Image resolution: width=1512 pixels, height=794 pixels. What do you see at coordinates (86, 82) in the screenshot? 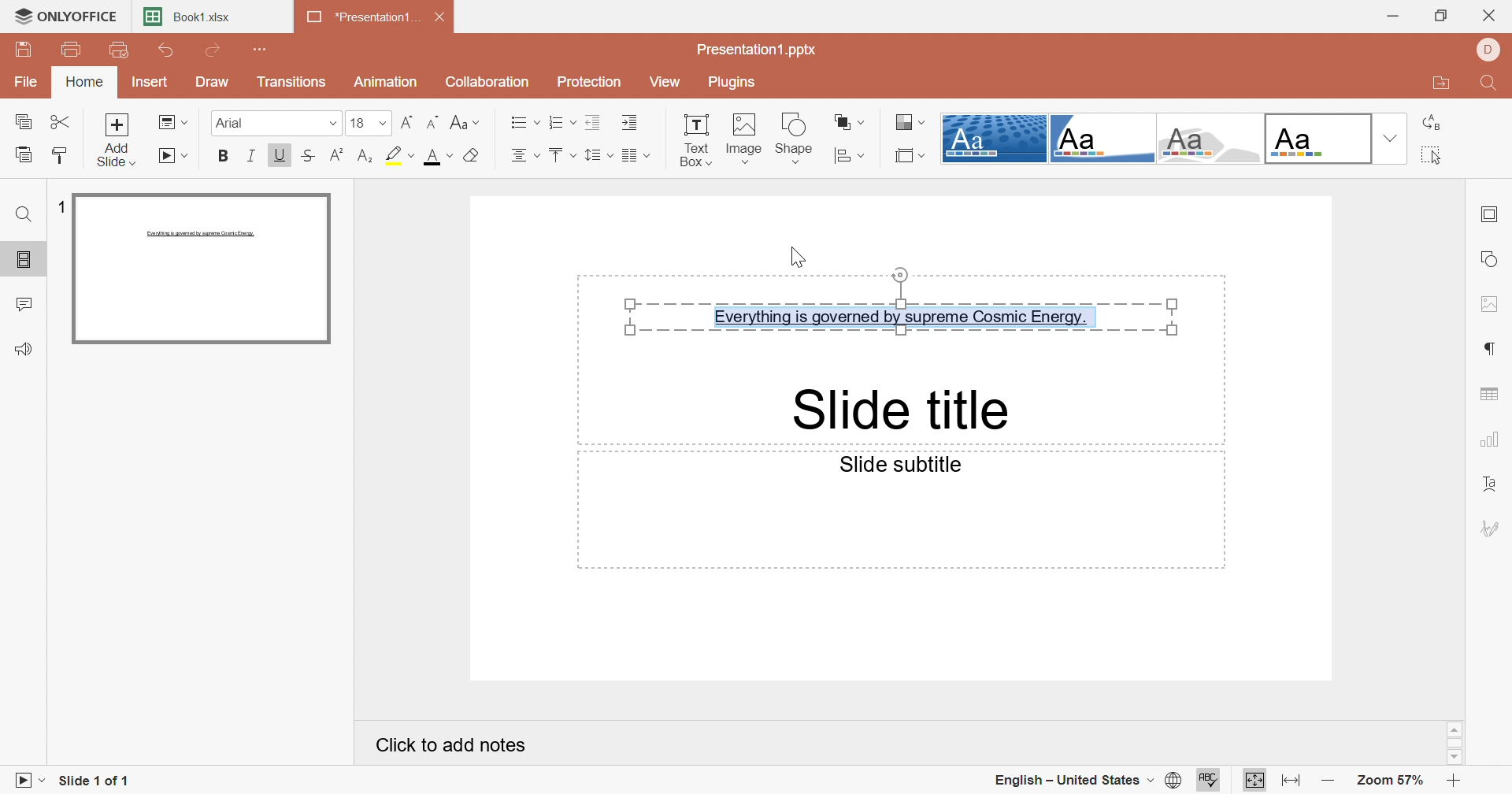
I see `Home` at bounding box center [86, 82].